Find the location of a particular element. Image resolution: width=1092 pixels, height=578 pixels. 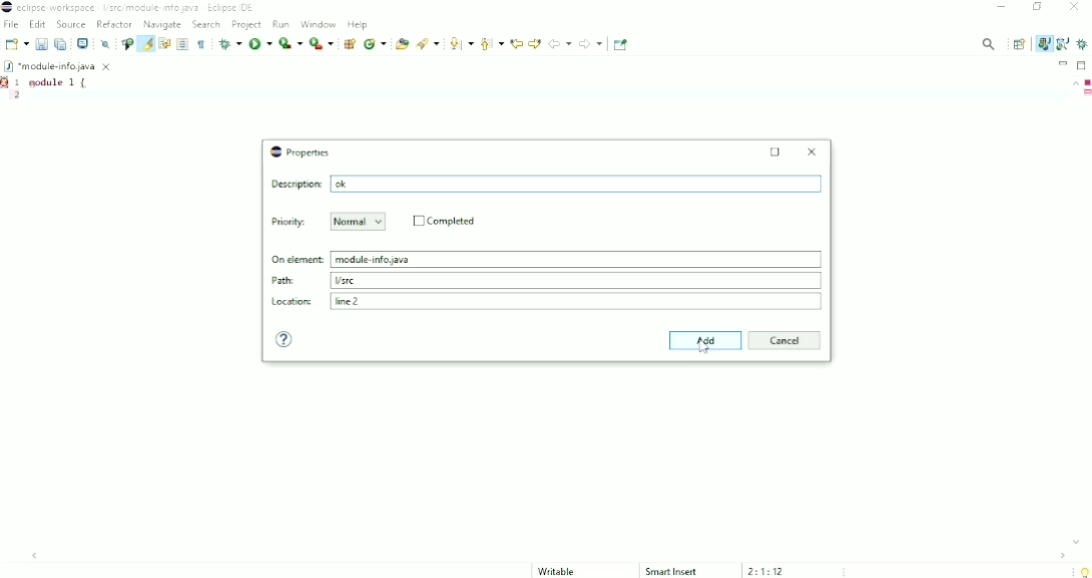

Open Type is located at coordinates (401, 44).